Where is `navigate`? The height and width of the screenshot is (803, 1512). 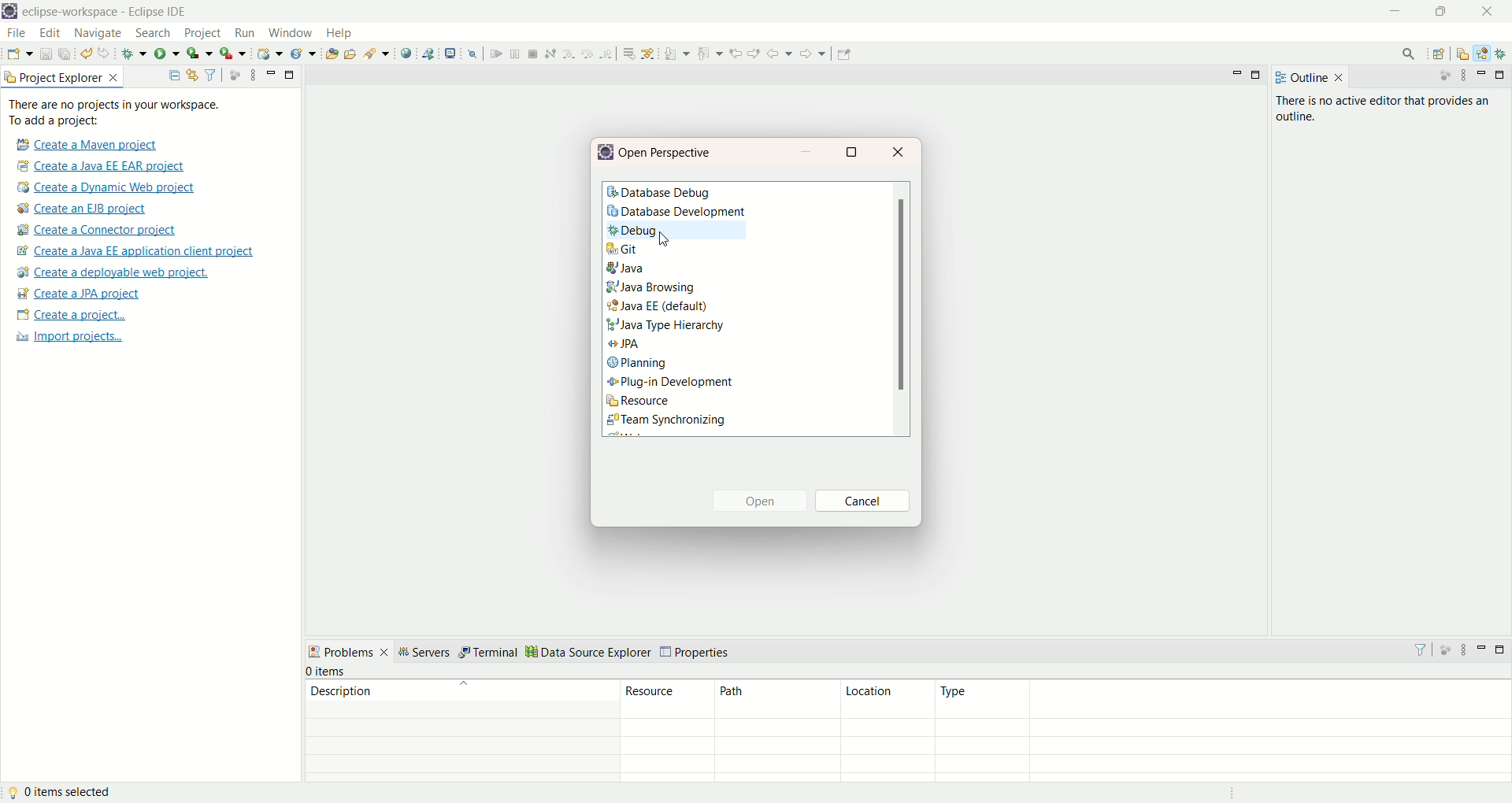
navigate is located at coordinates (100, 35).